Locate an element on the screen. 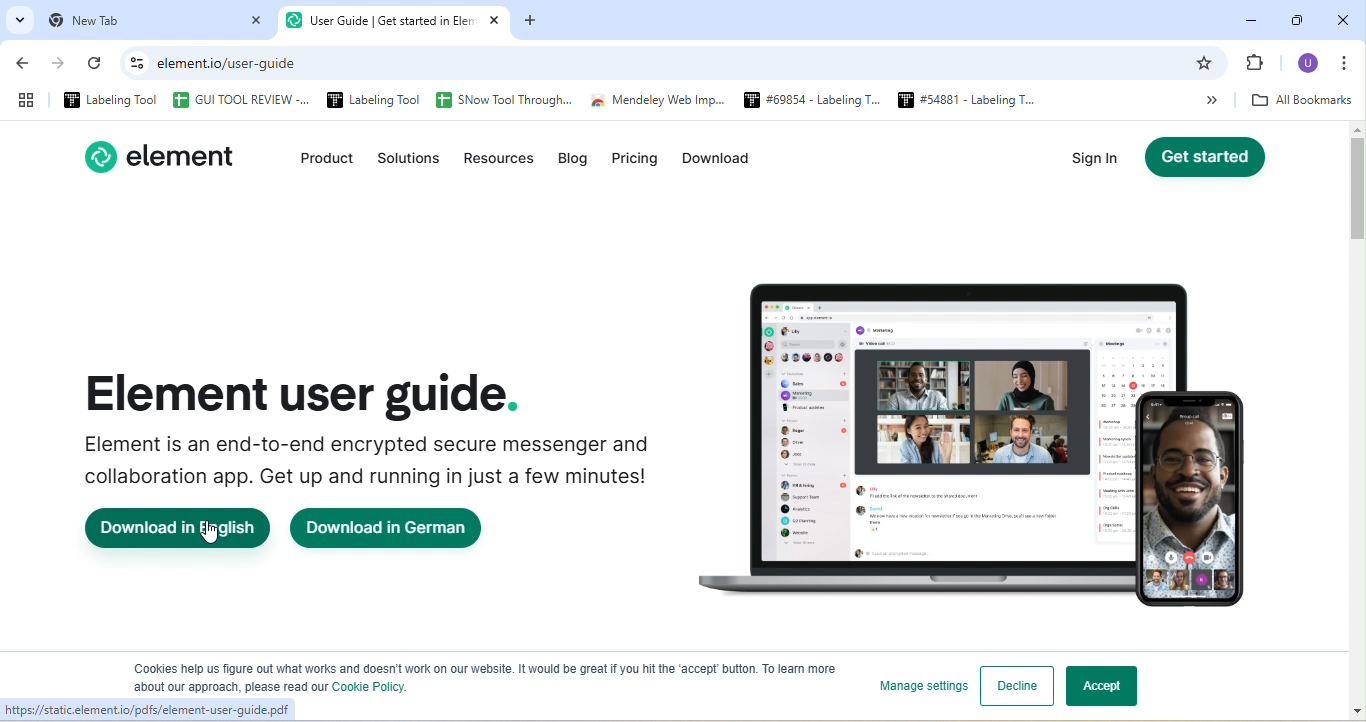 Image resolution: width=1366 pixels, height=722 pixels. Graphic Image of User Gide is located at coordinates (986, 425).